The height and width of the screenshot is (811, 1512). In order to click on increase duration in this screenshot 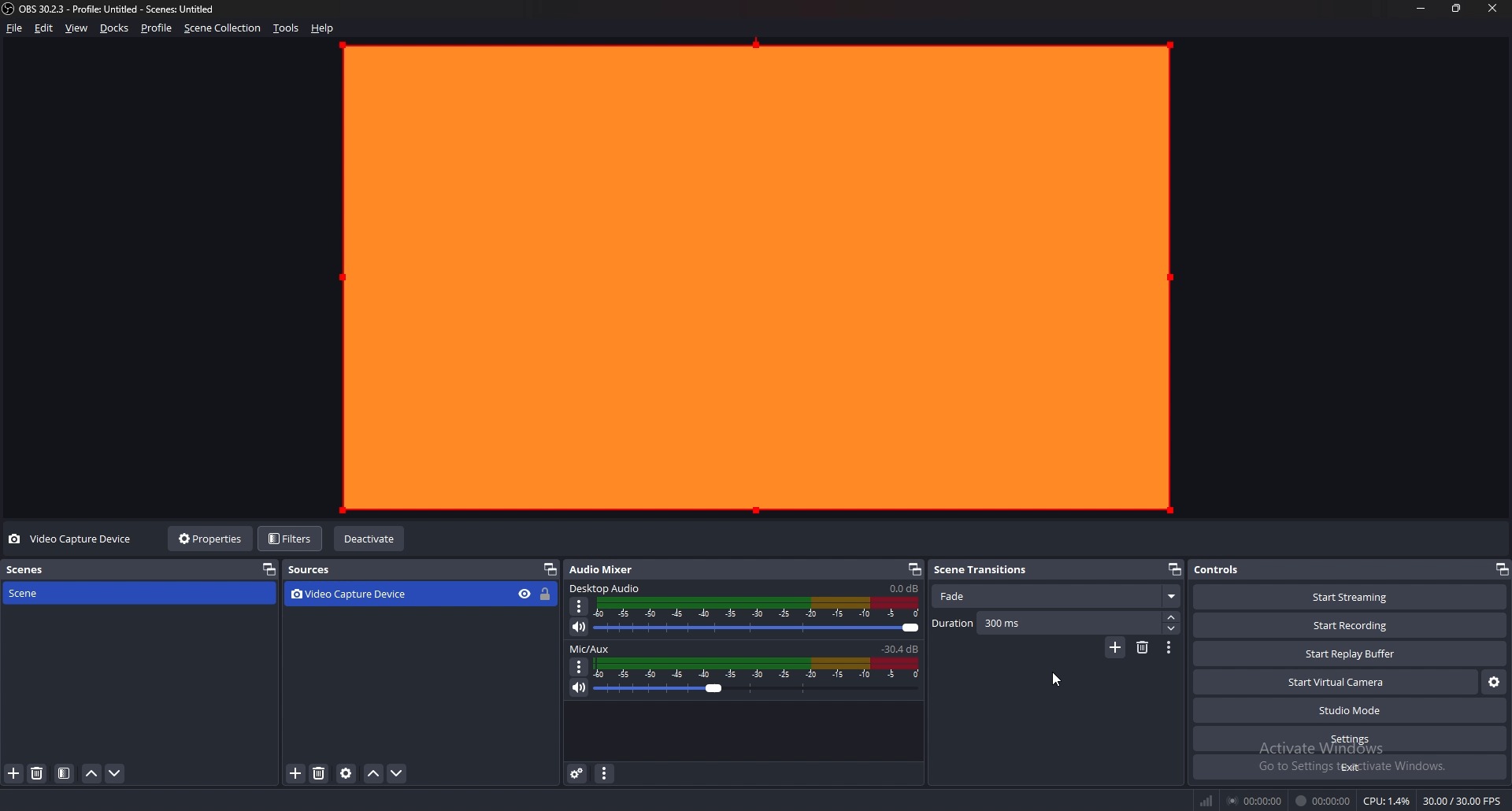, I will do `click(1172, 617)`.